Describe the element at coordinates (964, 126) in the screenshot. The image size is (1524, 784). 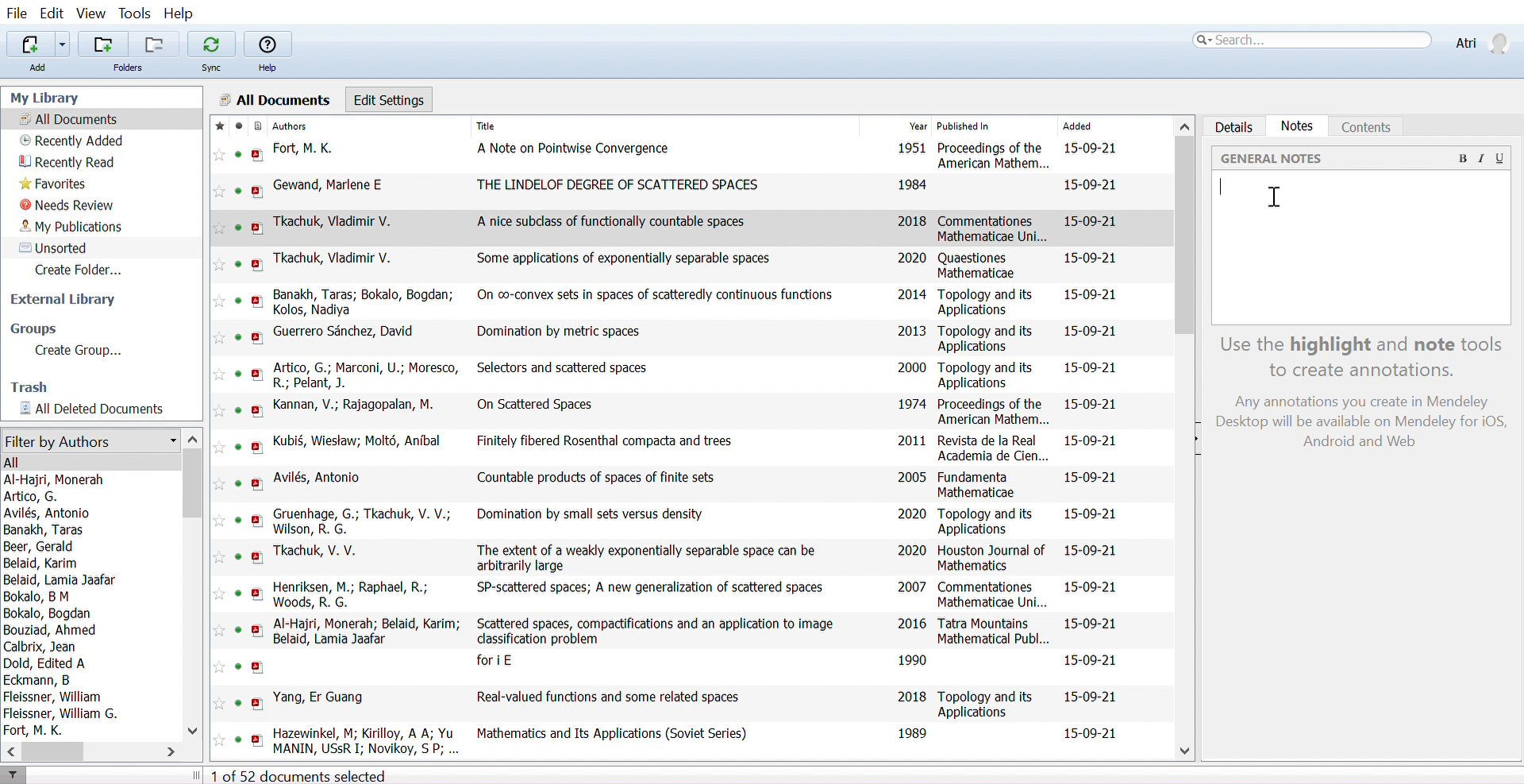
I see `Published In` at that location.